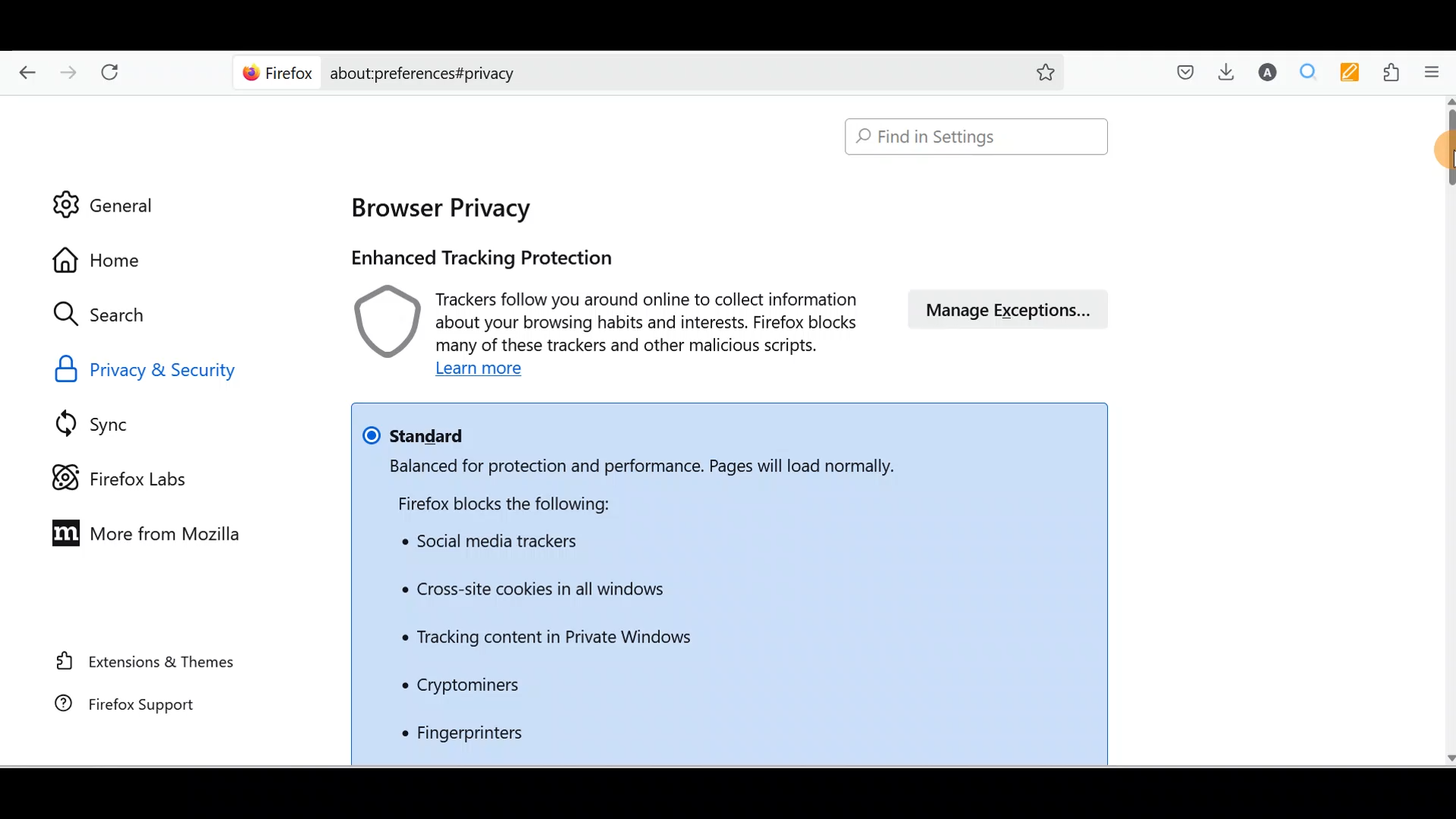 This screenshot has width=1456, height=819. Describe the element at coordinates (151, 704) in the screenshot. I see `Firefox support` at that location.